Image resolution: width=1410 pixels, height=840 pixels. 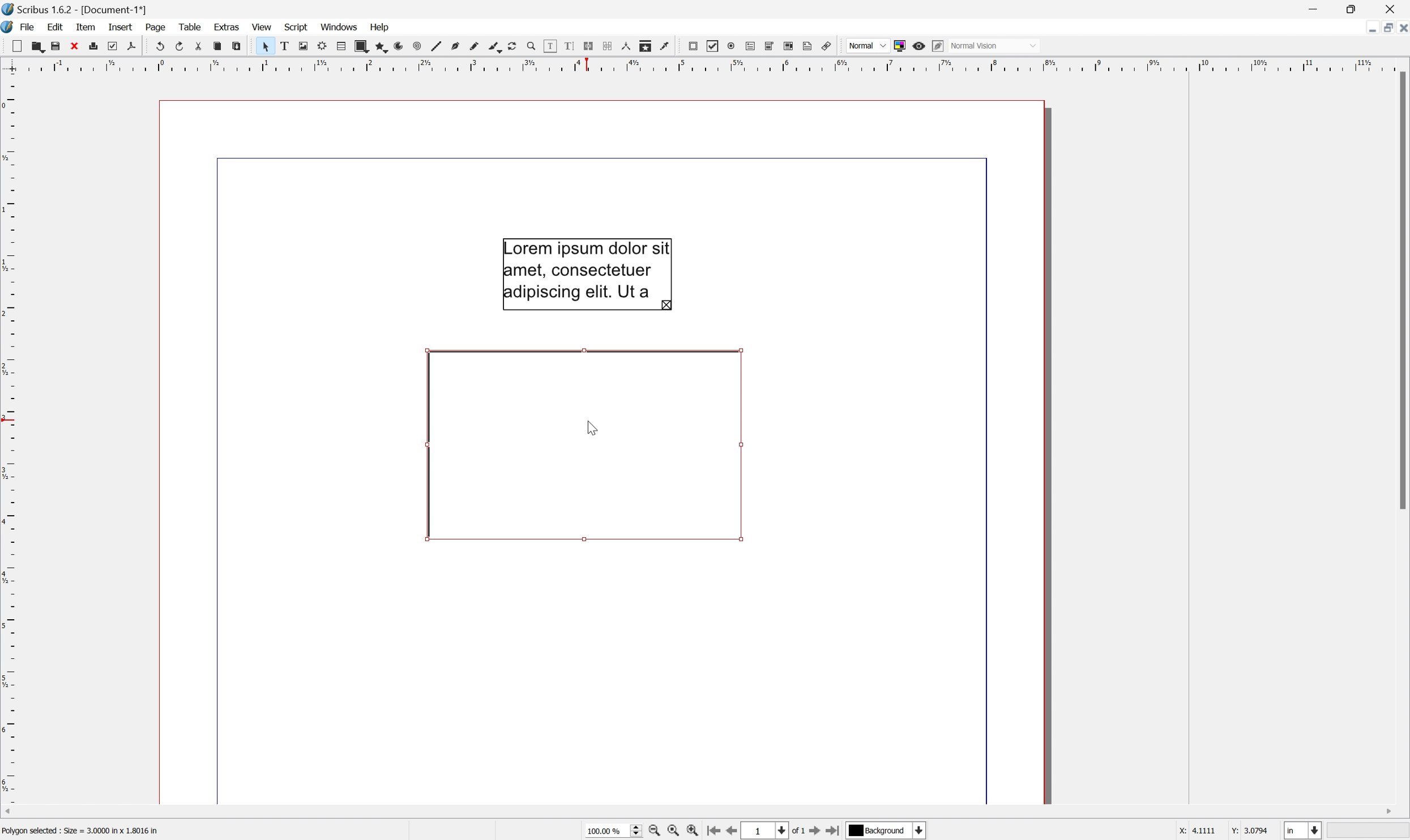 What do you see at coordinates (87, 27) in the screenshot?
I see `Item` at bounding box center [87, 27].